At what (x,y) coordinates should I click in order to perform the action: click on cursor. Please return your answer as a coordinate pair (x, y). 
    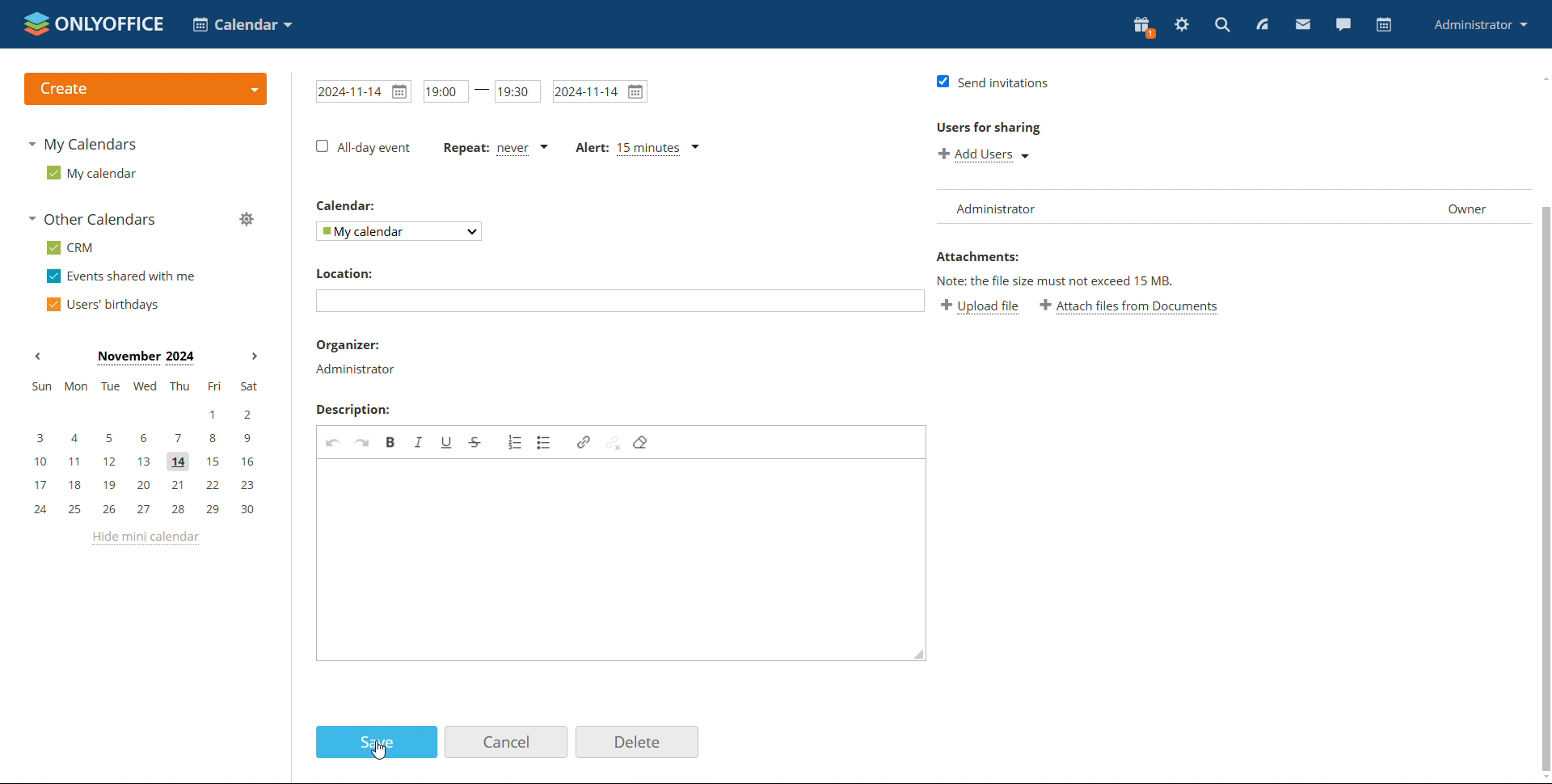
    Looking at the image, I should click on (379, 752).